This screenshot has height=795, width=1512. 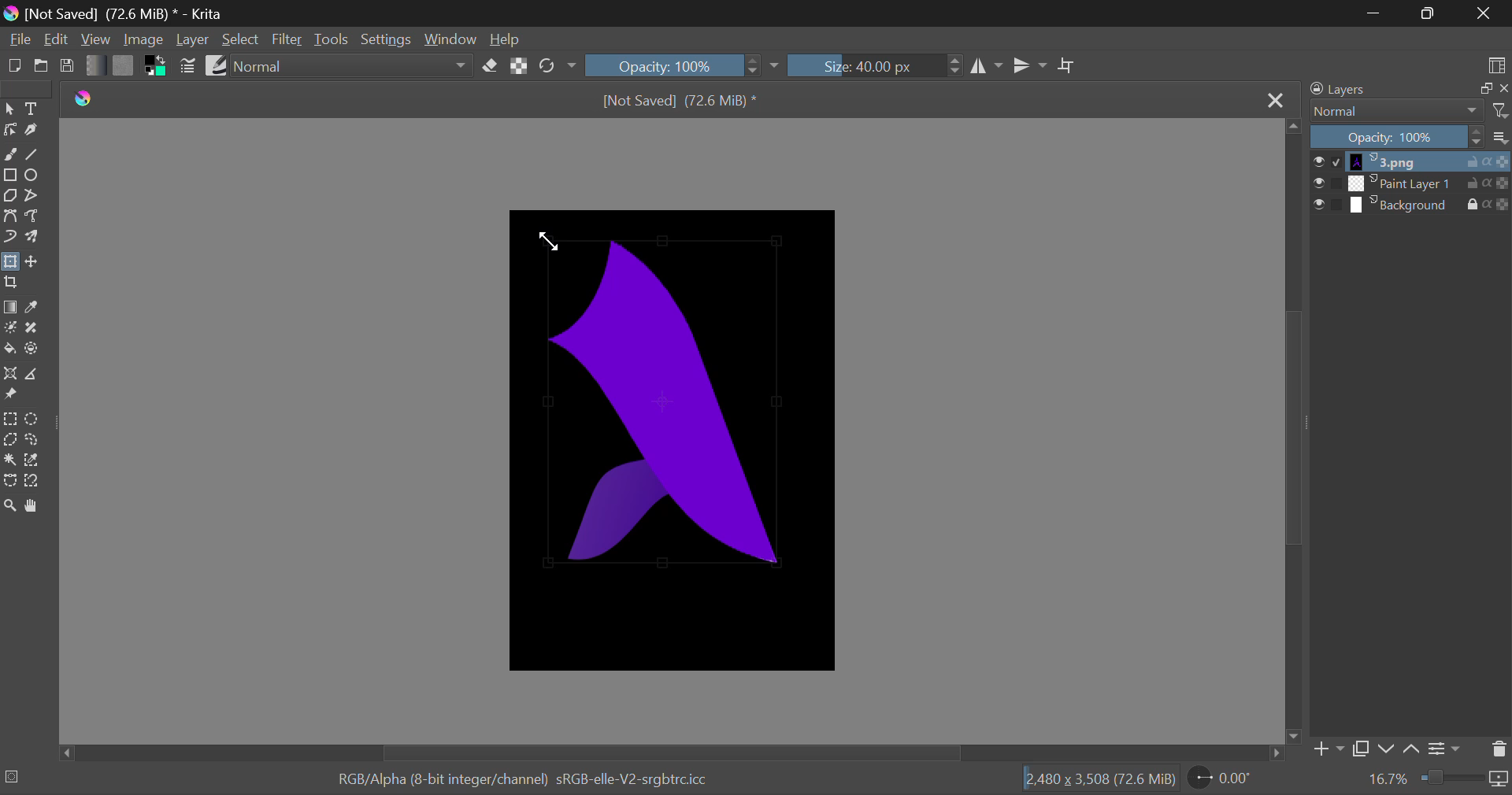 I want to click on Freehand Path Tool, so click(x=36, y=217).